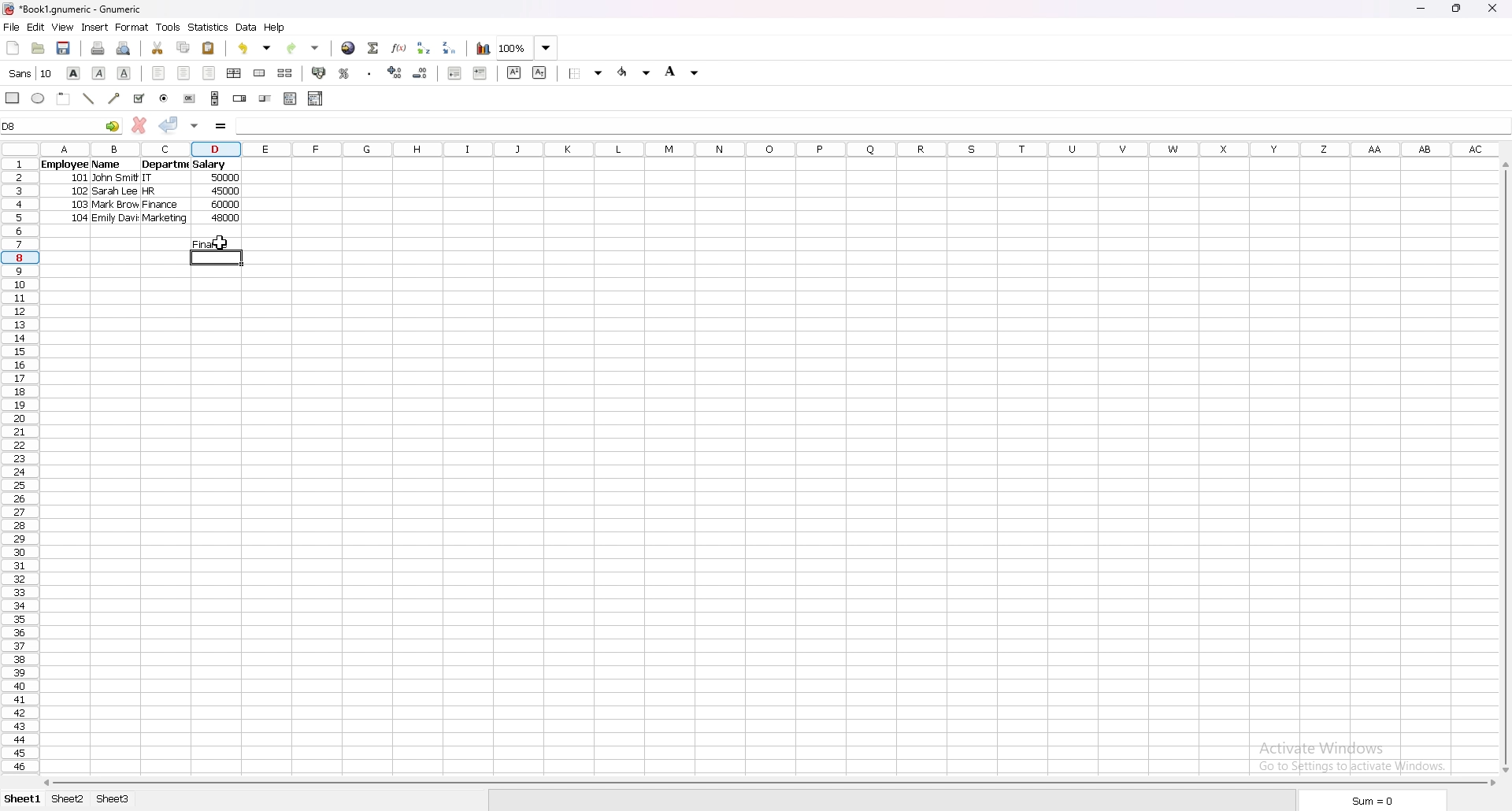 Image resolution: width=1512 pixels, height=811 pixels. What do you see at coordinates (227, 192) in the screenshot?
I see `4500` at bounding box center [227, 192].